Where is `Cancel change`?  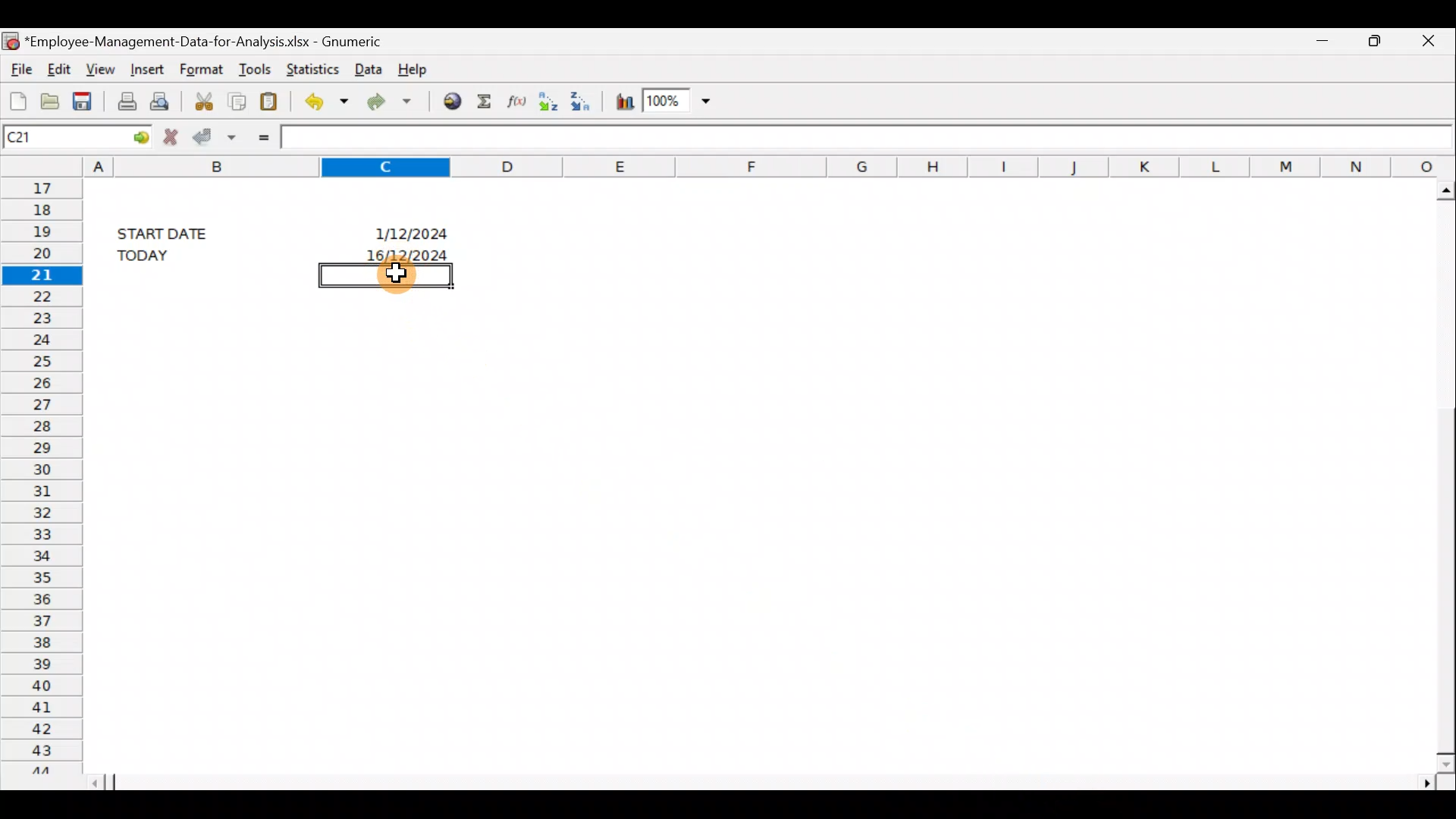
Cancel change is located at coordinates (169, 136).